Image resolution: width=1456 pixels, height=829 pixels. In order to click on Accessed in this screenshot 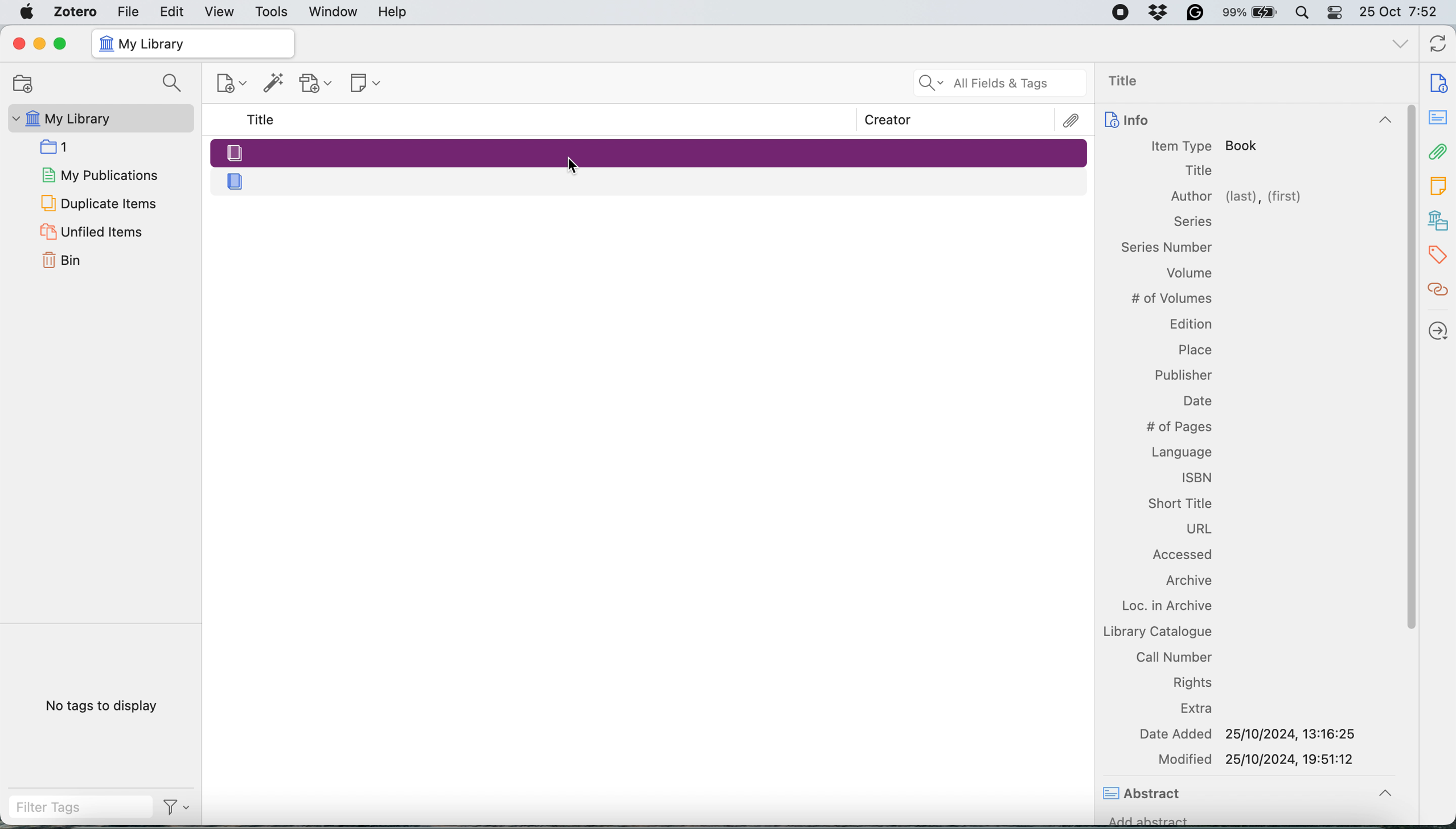, I will do `click(1185, 556)`.